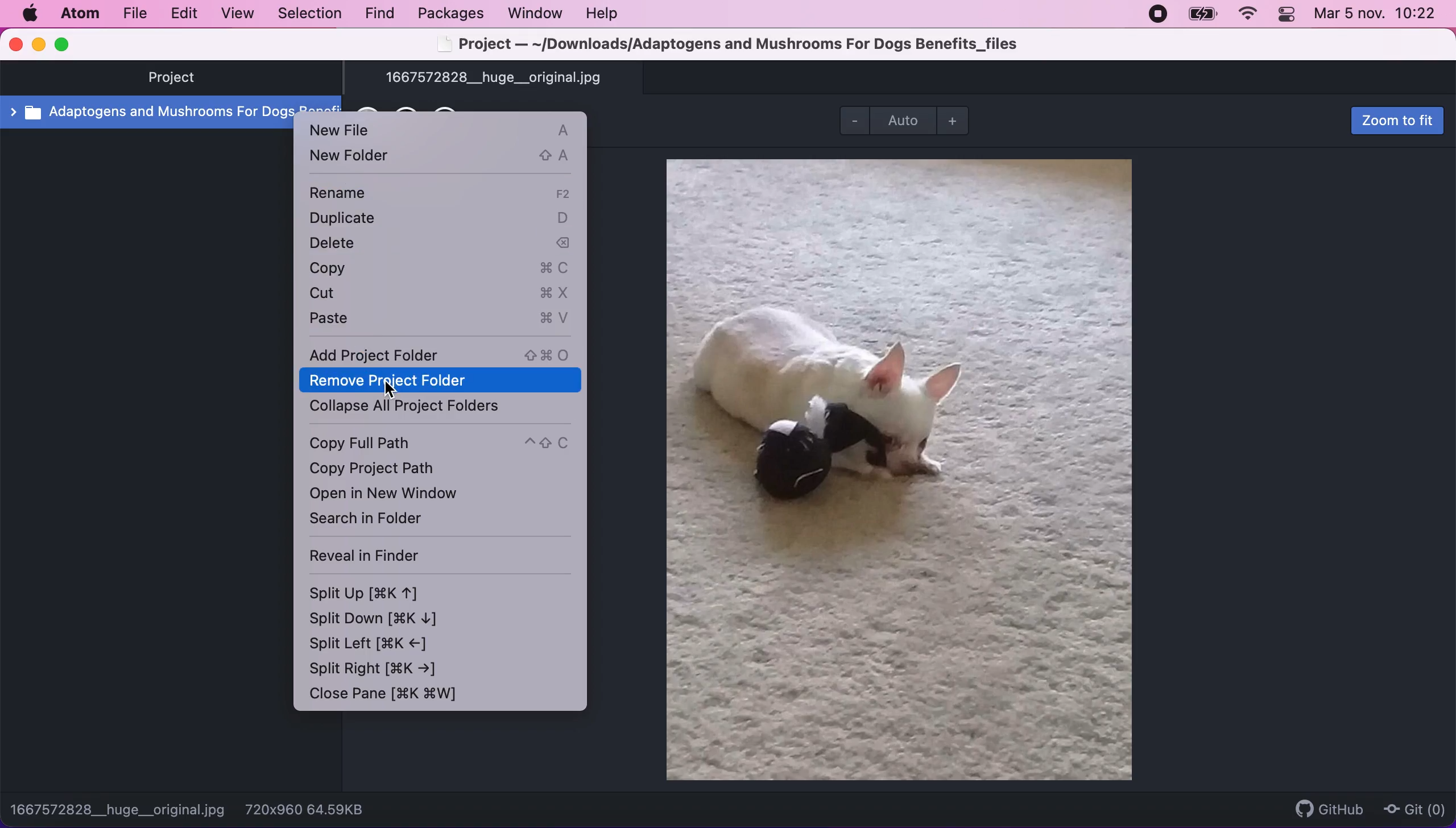 The height and width of the screenshot is (828, 1456). What do you see at coordinates (184, 14) in the screenshot?
I see `edit` at bounding box center [184, 14].